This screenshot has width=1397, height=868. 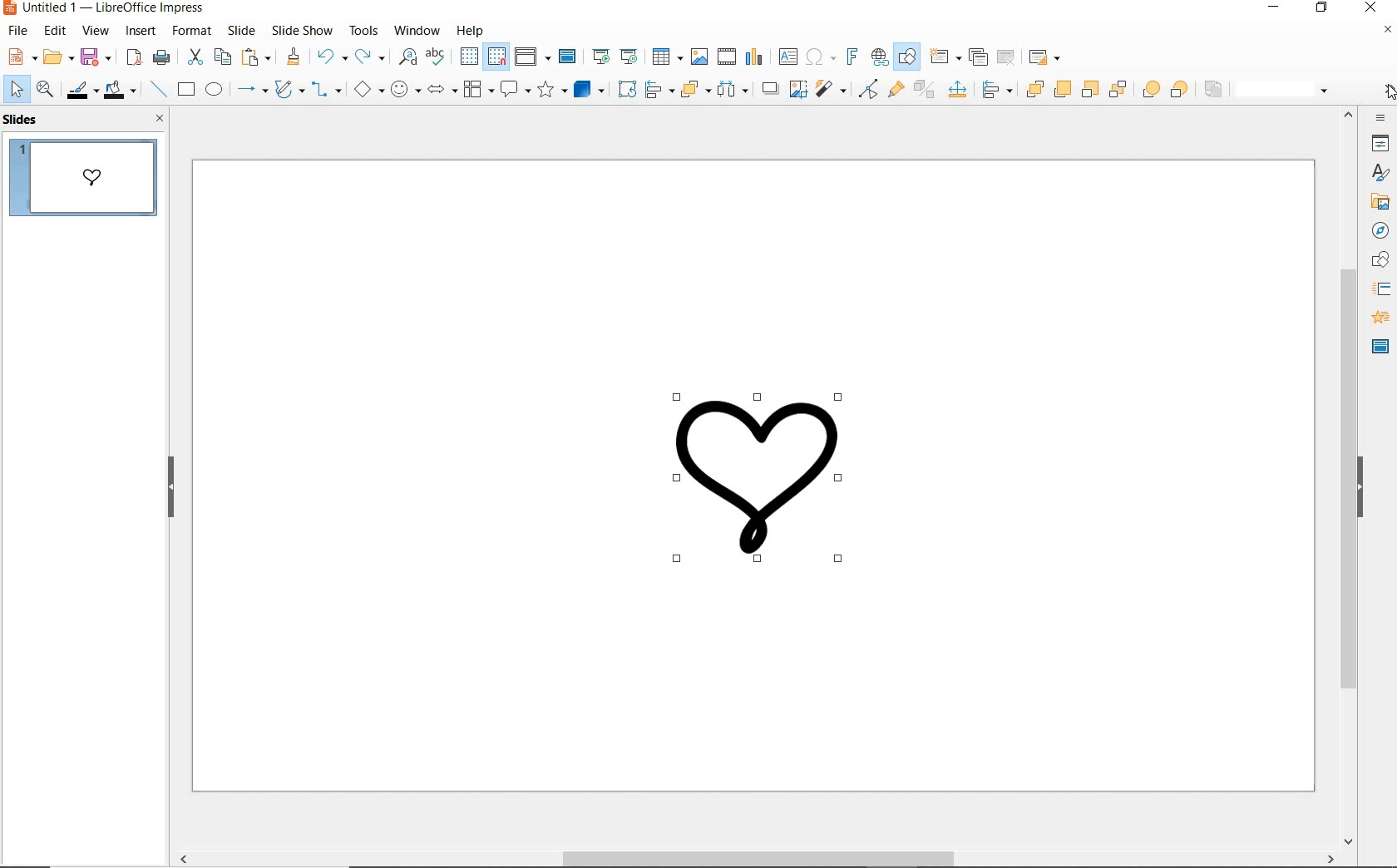 What do you see at coordinates (23, 120) in the screenshot?
I see `SLIDES` at bounding box center [23, 120].